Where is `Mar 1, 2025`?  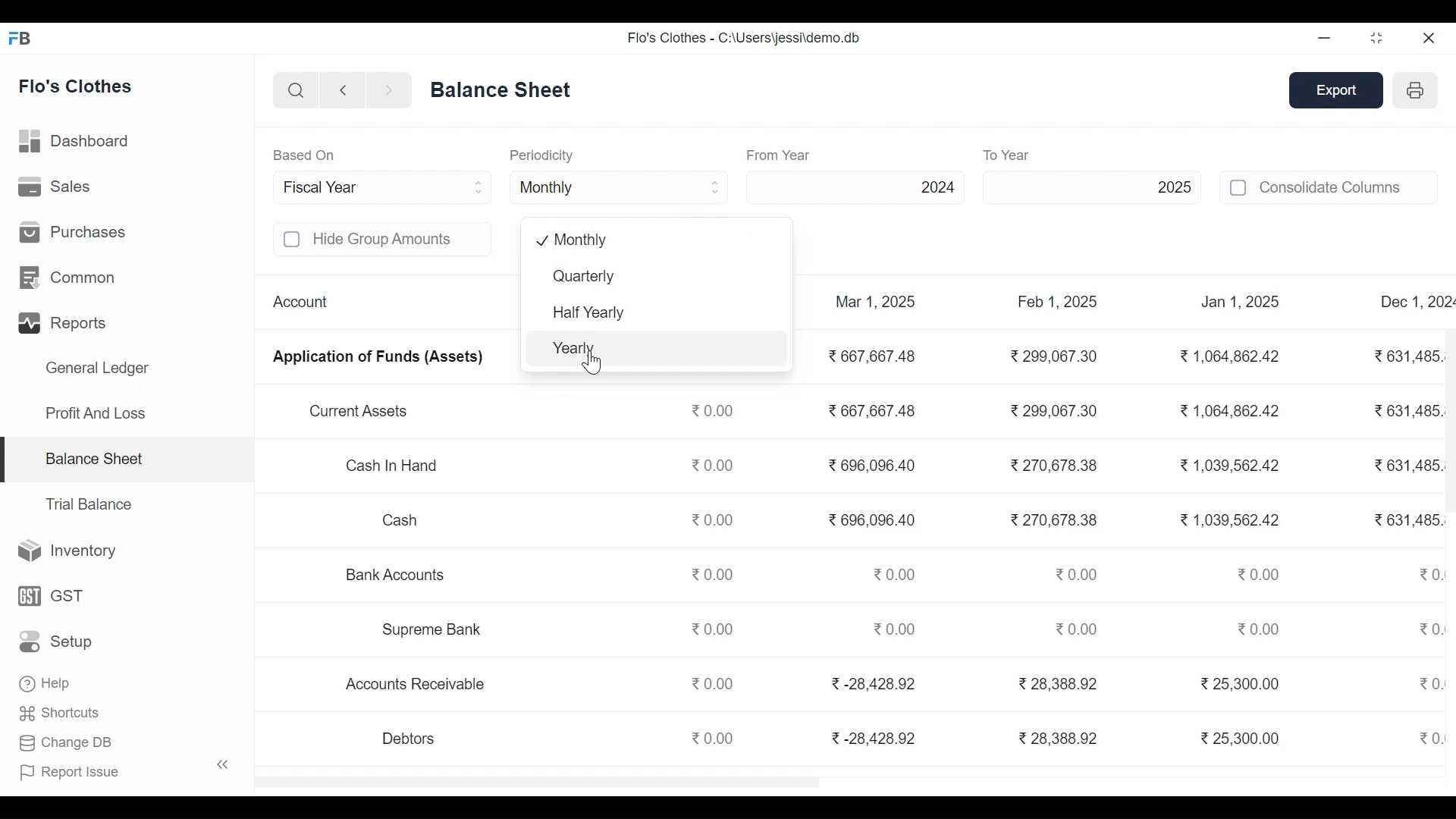
Mar 1, 2025 is located at coordinates (876, 302).